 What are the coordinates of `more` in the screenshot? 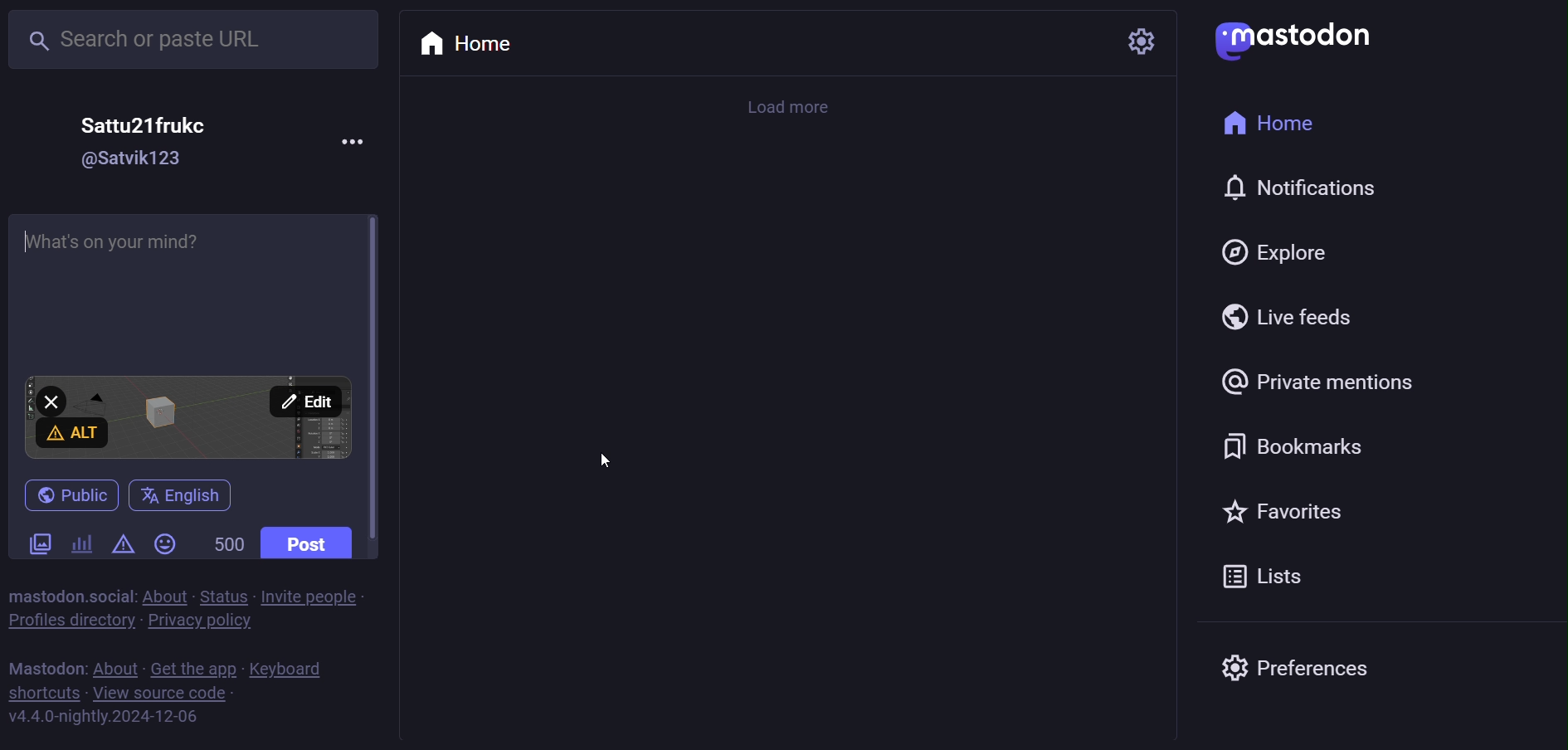 It's located at (354, 144).